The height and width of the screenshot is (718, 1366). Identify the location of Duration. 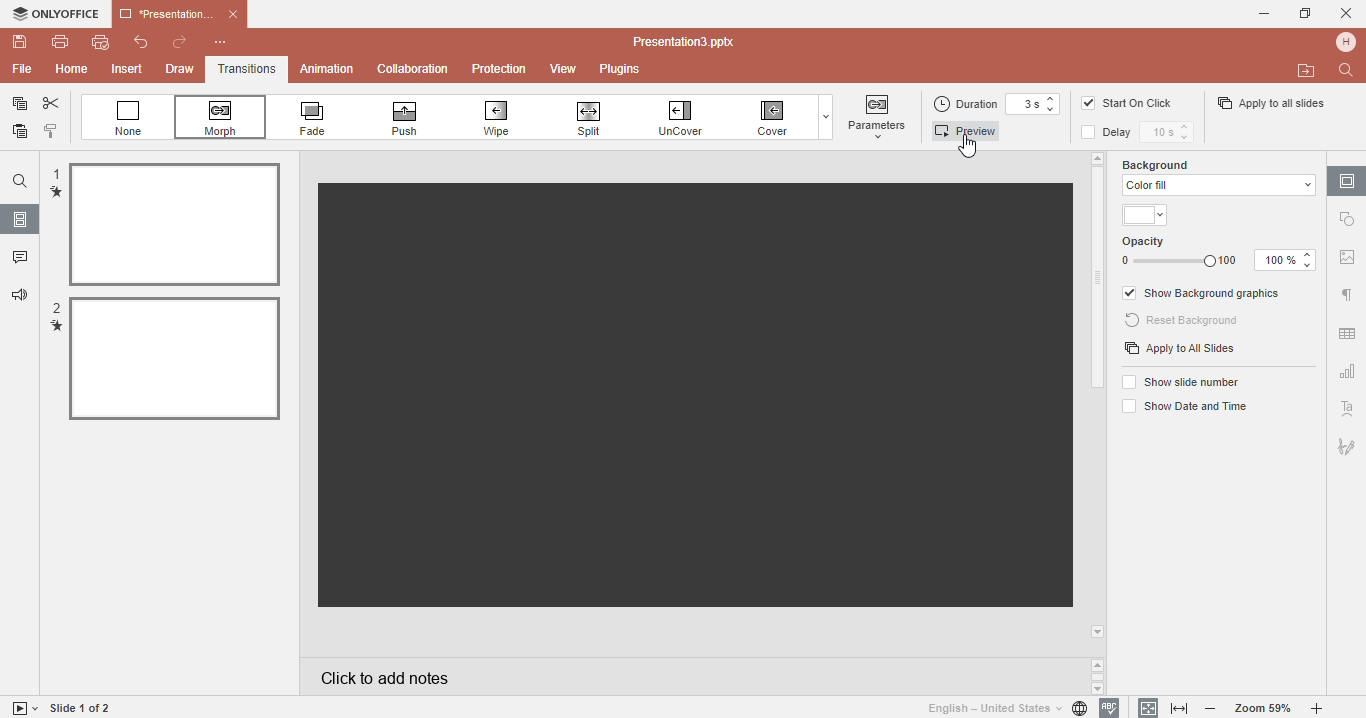
(970, 105).